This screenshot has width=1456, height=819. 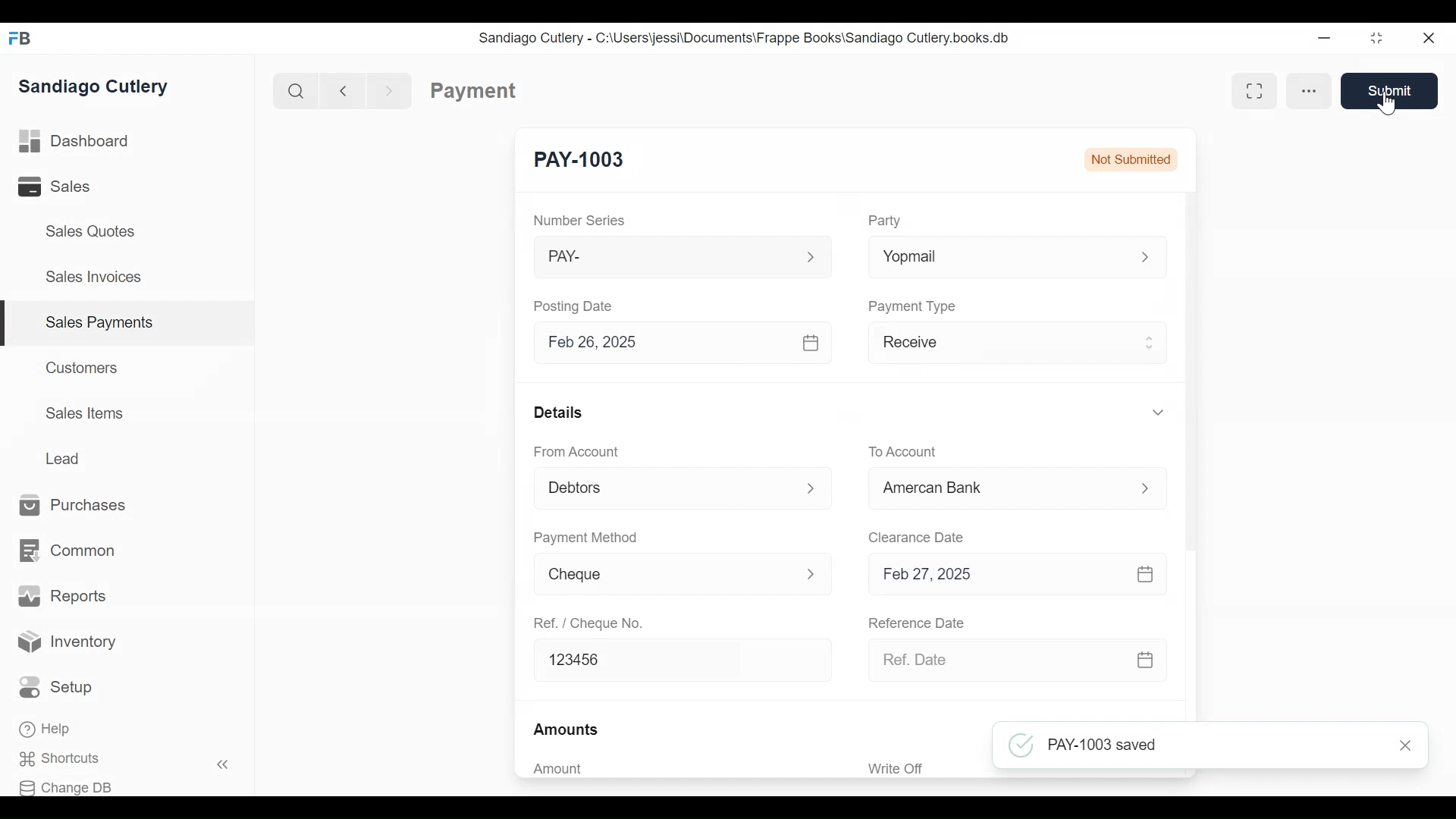 What do you see at coordinates (812, 488) in the screenshot?
I see `Expand` at bounding box center [812, 488].